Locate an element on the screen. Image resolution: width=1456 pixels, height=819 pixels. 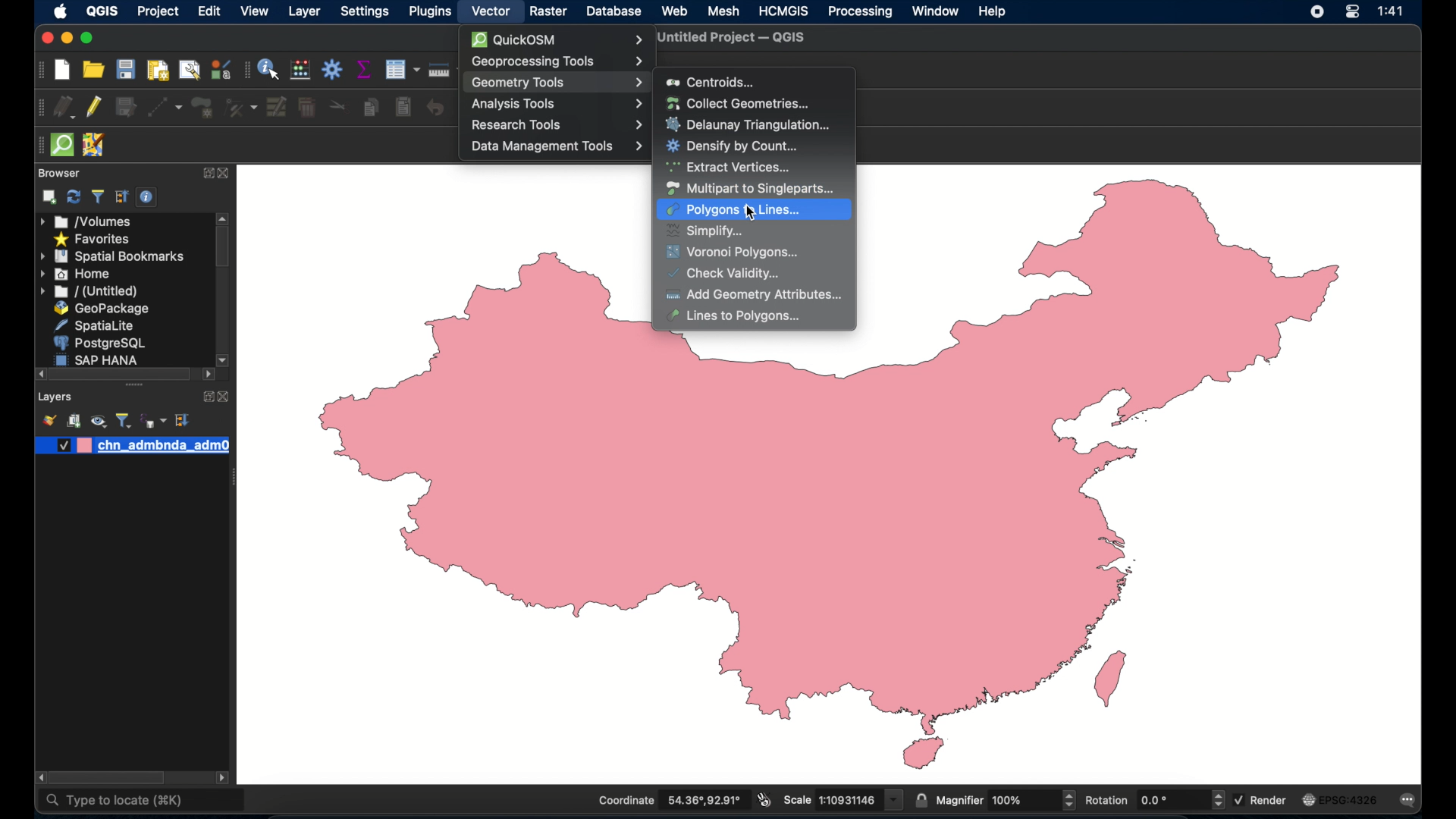
add geometry attributes is located at coordinates (755, 294).